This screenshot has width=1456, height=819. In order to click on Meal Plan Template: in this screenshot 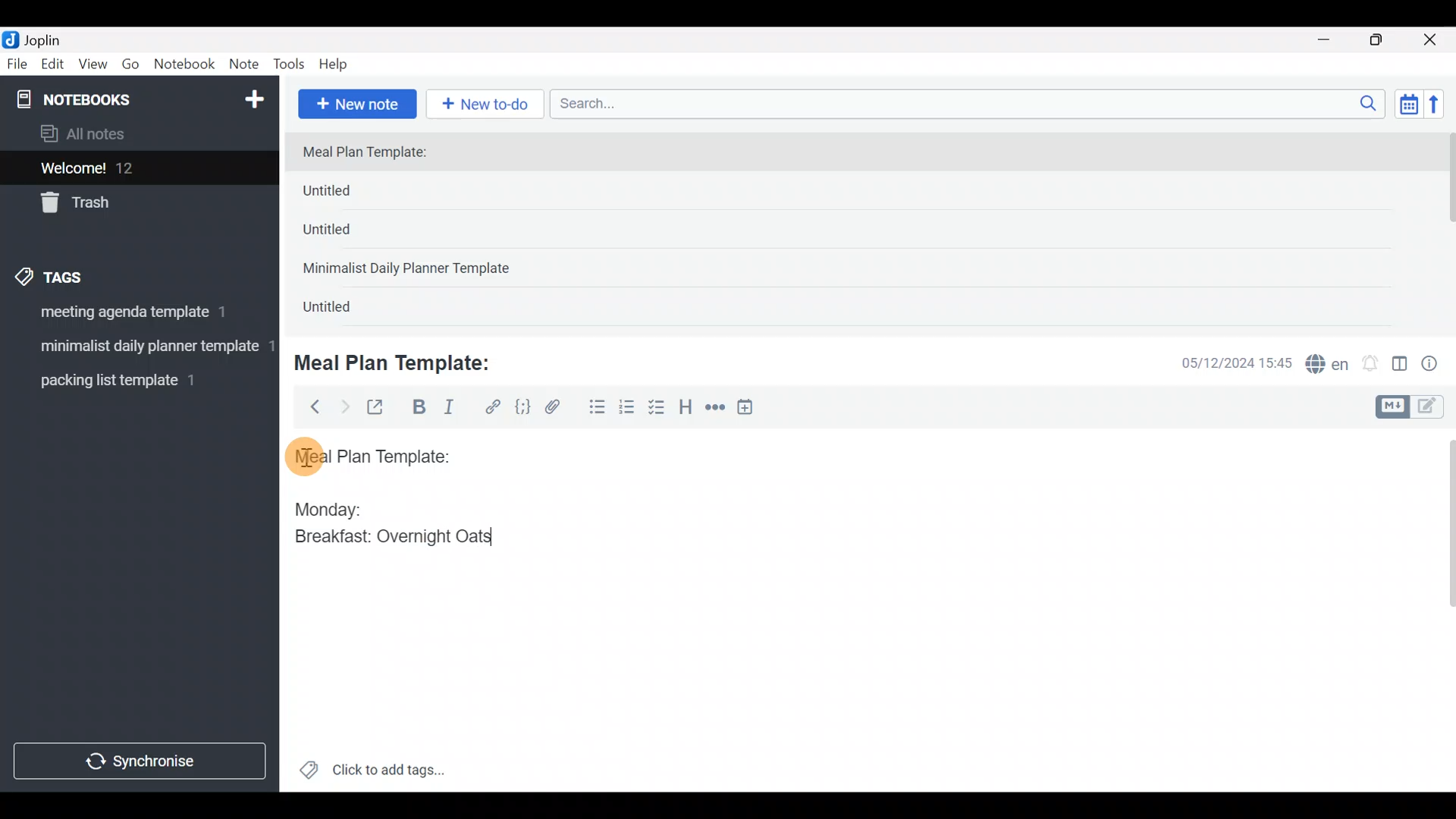, I will do `click(374, 153)`.